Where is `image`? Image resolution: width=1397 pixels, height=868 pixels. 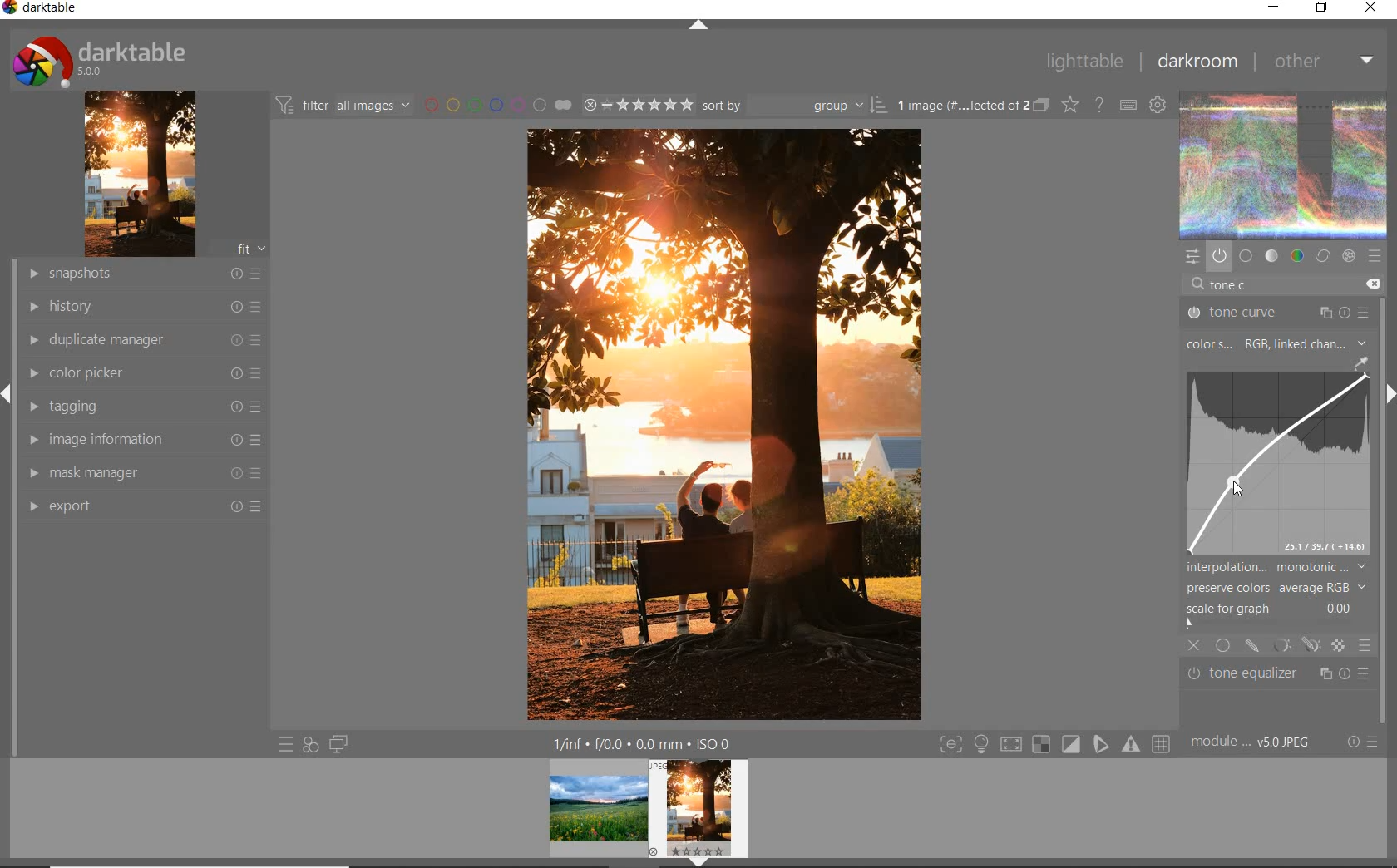 image is located at coordinates (1280, 164).